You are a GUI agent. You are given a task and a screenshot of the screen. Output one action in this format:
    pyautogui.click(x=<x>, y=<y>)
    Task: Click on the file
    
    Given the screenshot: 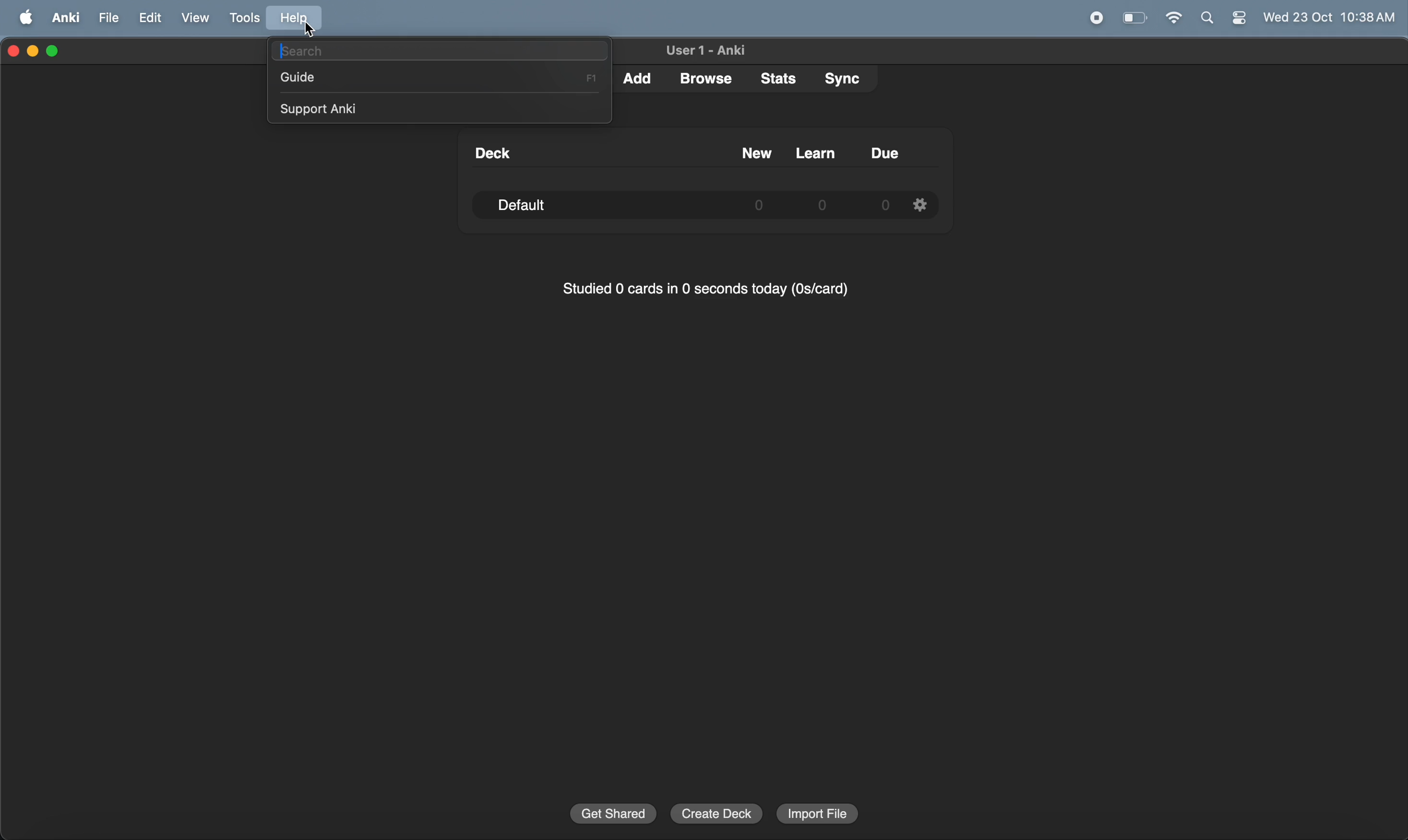 What is the action you would take?
    pyautogui.click(x=109, y=17)
    